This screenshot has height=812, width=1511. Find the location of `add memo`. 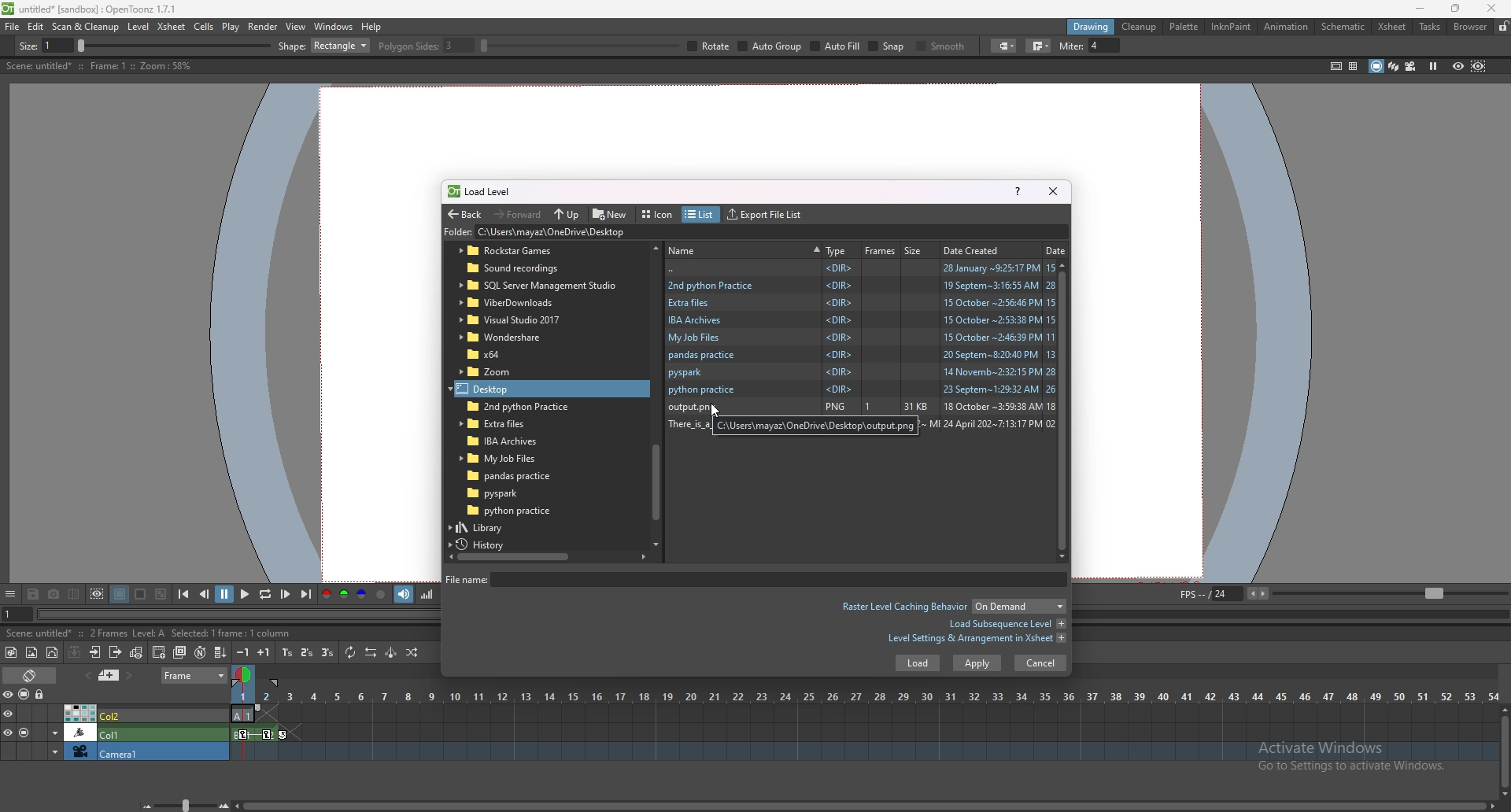

add memo is located at coordinates (109, 674).